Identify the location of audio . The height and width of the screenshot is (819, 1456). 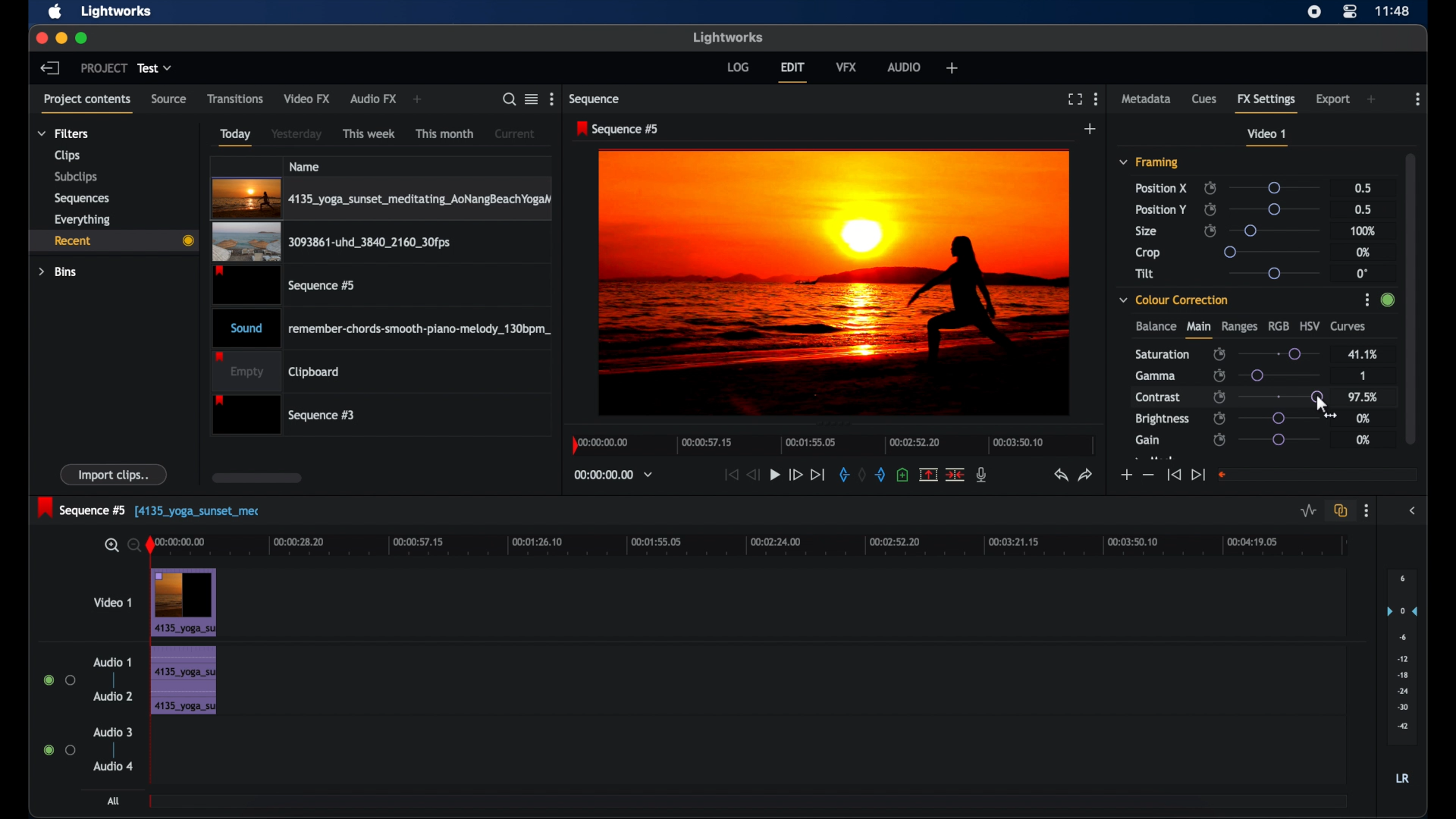
(182, 680).